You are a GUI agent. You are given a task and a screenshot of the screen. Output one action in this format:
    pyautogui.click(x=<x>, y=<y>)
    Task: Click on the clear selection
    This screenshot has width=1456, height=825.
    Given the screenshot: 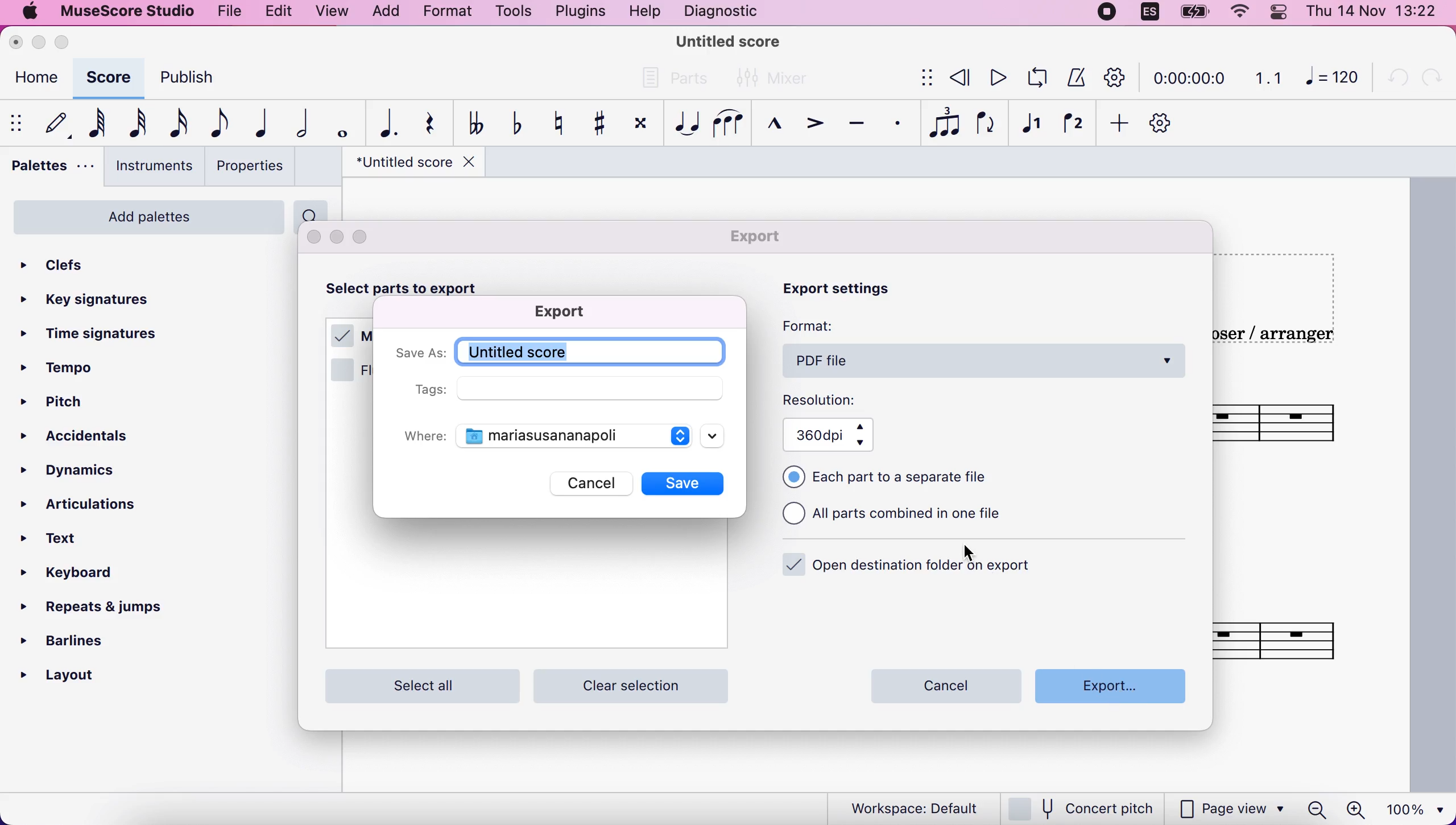 What is the action you would take?
    pyautogui.click(x=639, y=685)
    